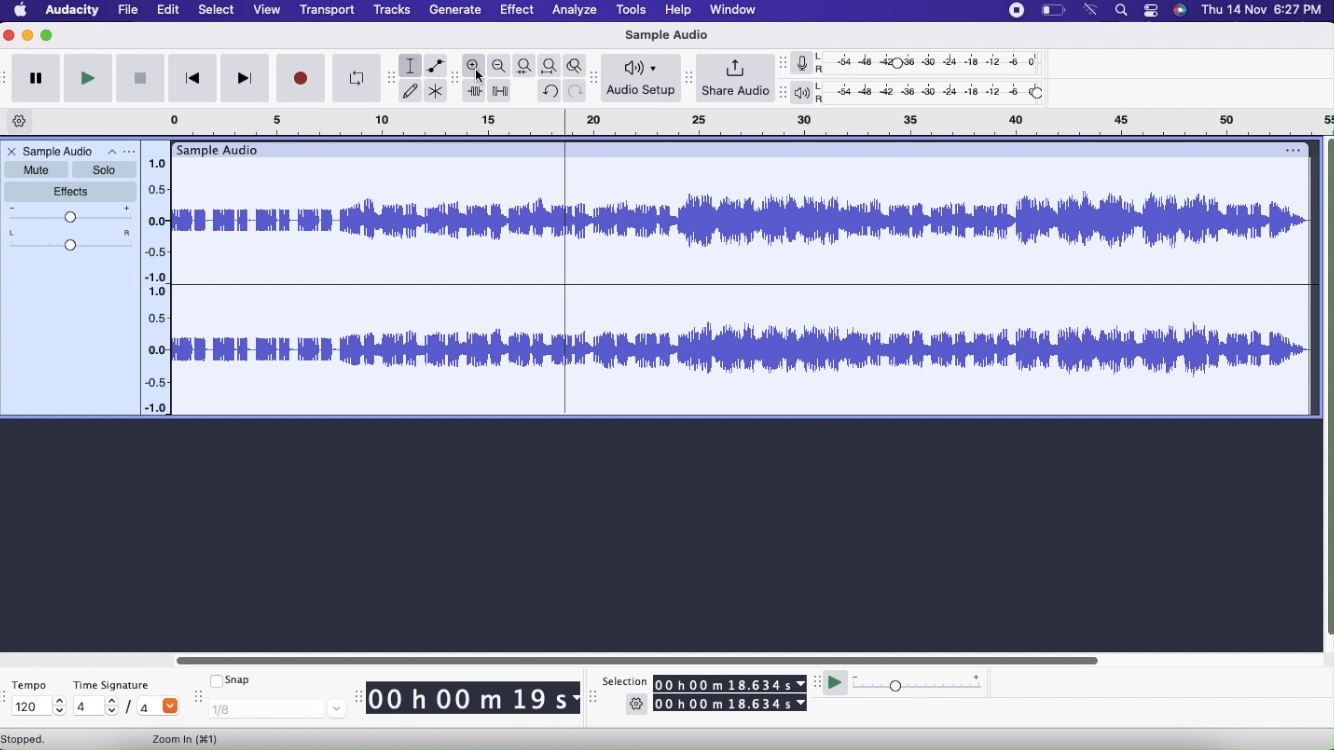  I want to click on 1/8, so click(277, 710).